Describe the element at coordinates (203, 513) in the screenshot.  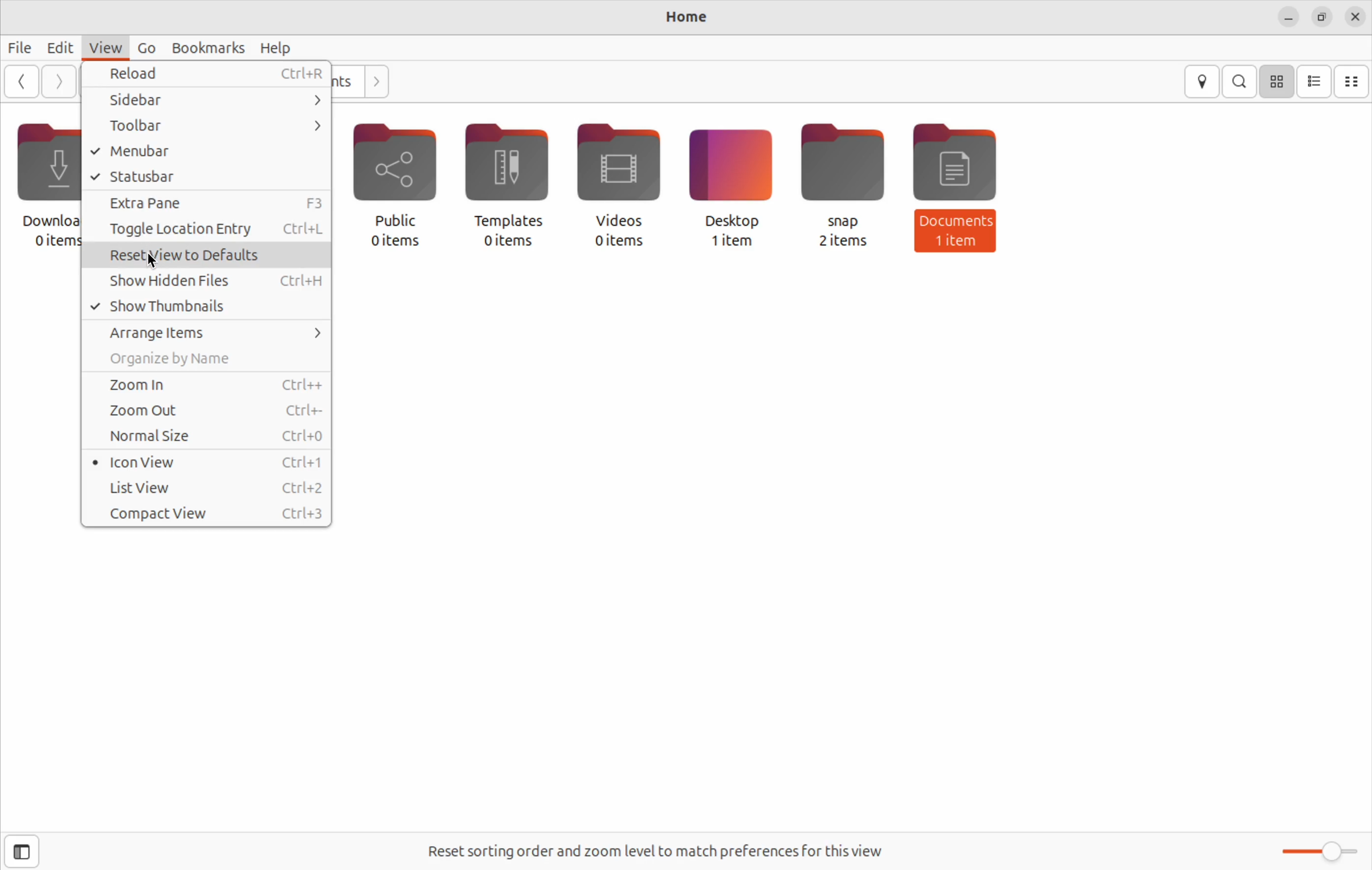
I see `Compact View` at that location.